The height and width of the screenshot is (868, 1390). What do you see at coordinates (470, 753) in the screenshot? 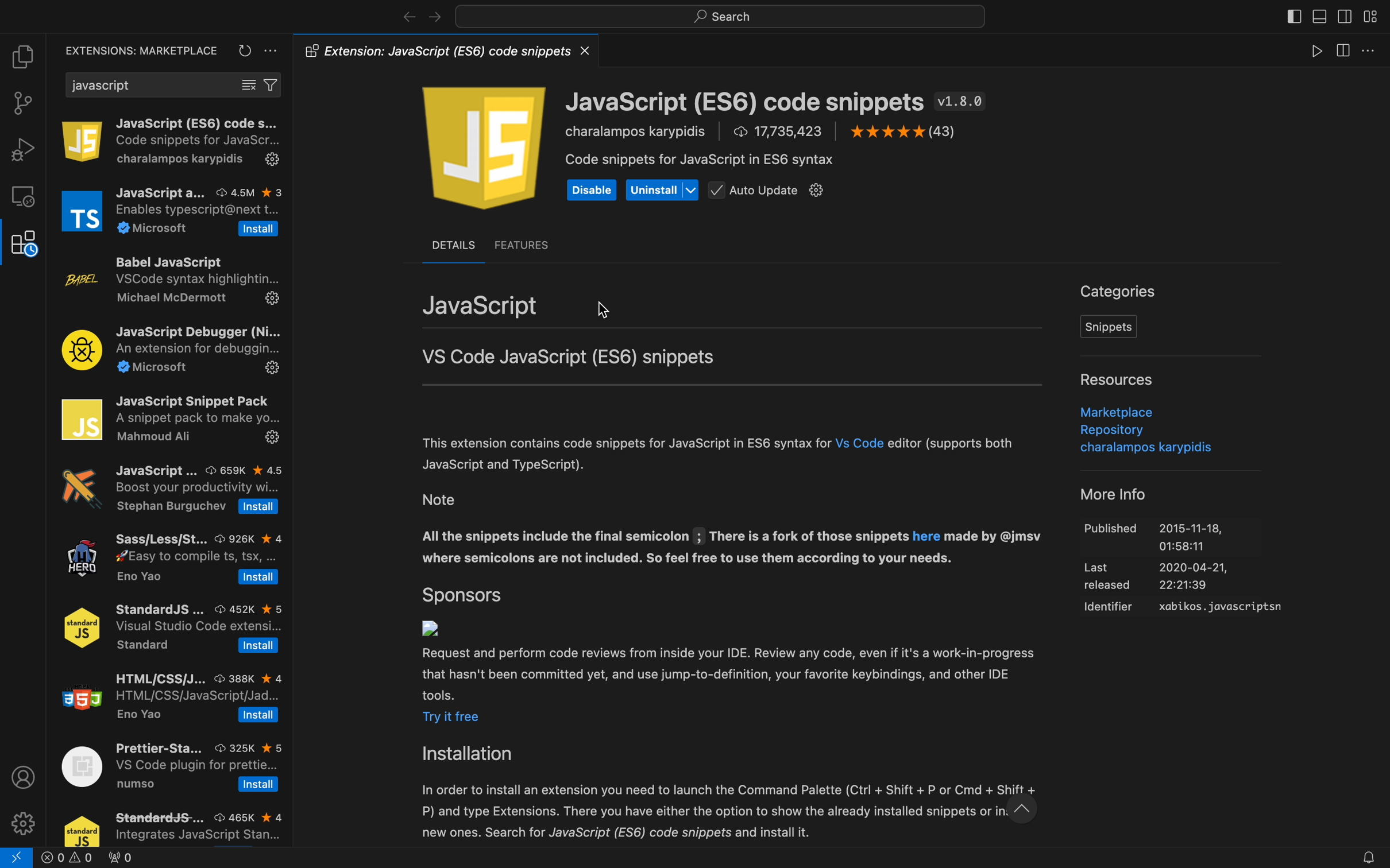
I see `Installation` at bounding box center [470, 753].